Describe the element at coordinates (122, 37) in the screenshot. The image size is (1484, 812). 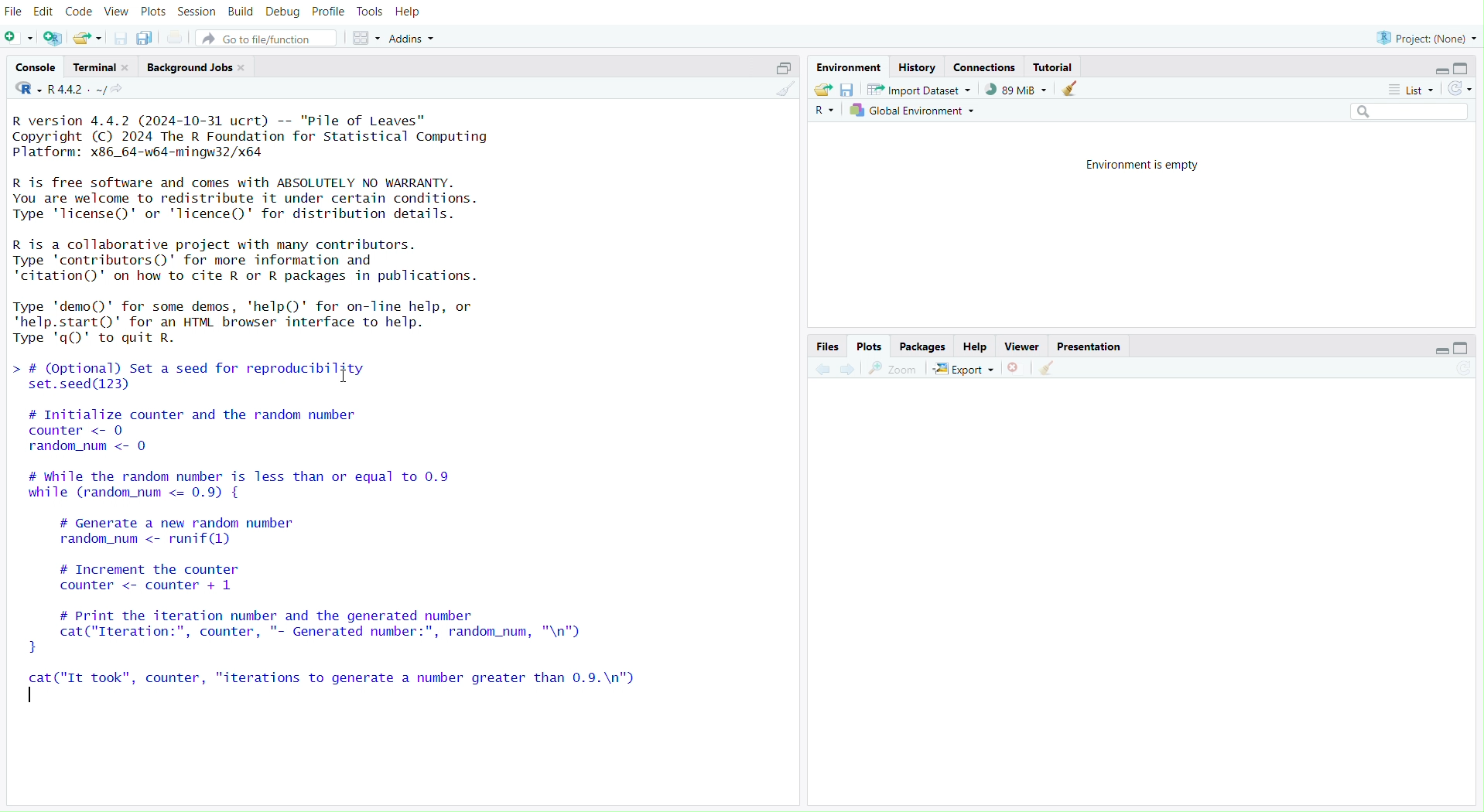
I see `Save current document (Ctrl + S)` at that location.